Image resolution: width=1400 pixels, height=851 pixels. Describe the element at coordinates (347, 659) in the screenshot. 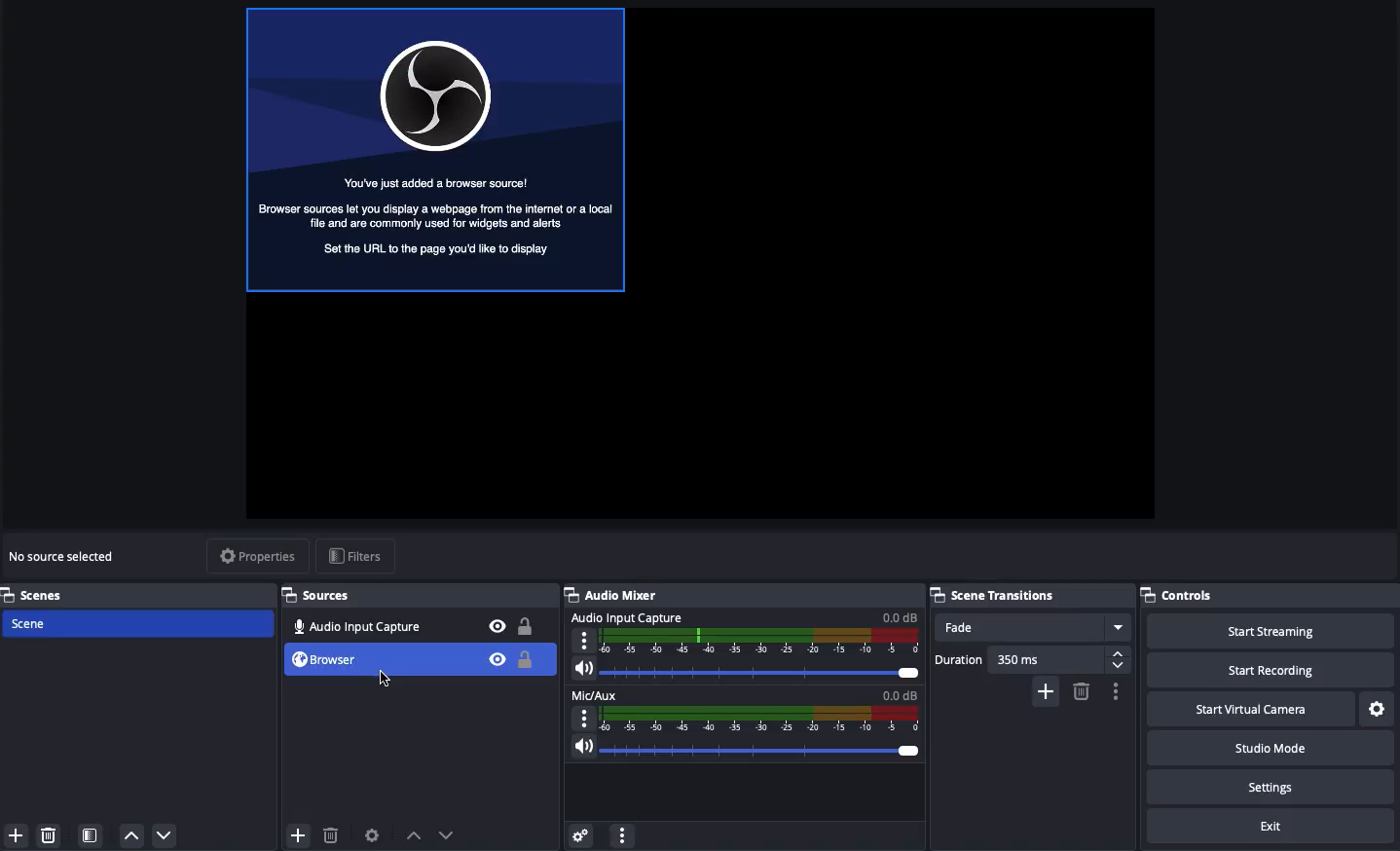

I see `Browser` at that location.